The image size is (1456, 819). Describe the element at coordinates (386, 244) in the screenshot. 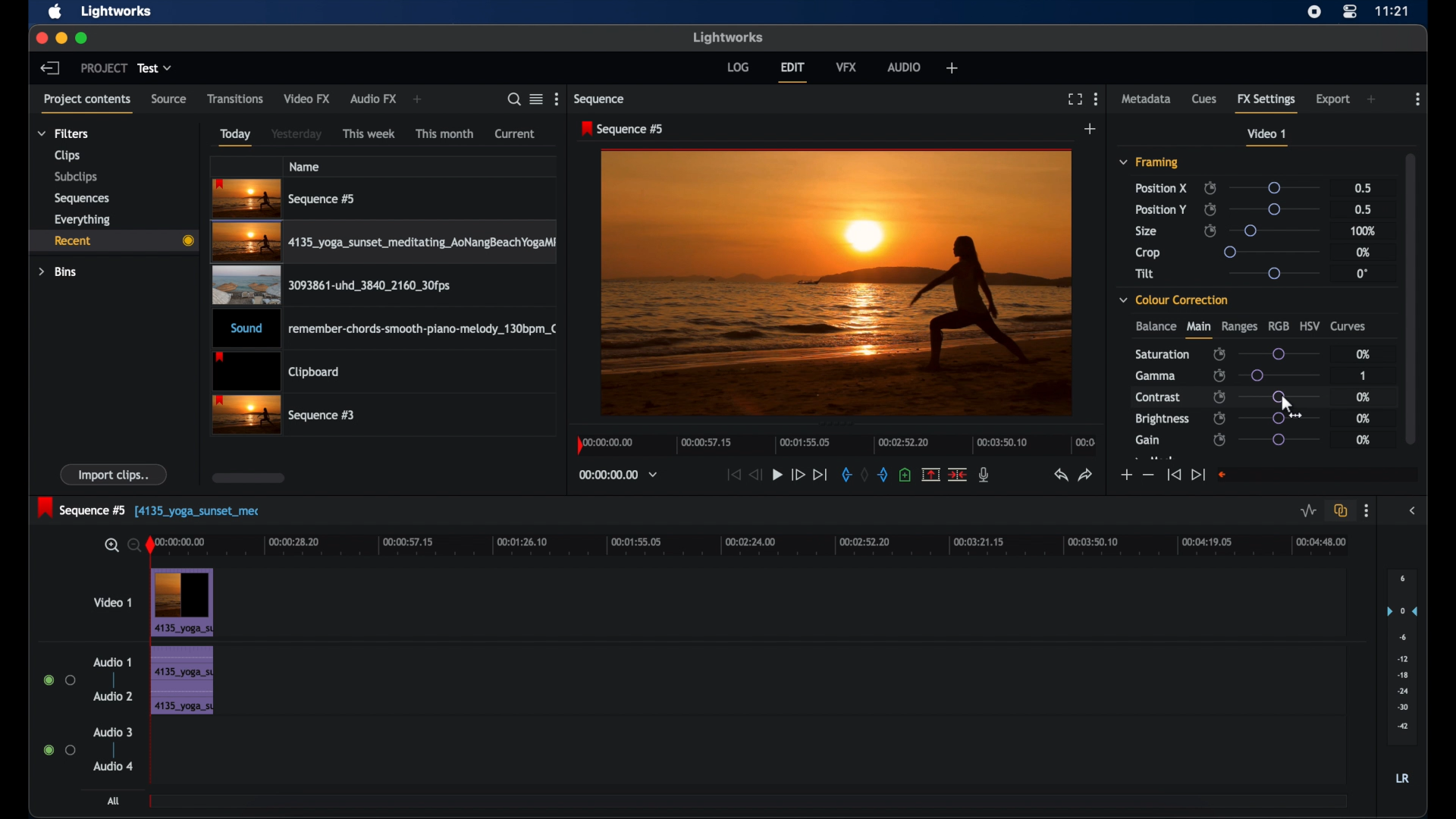

I see `video clip` at that location.